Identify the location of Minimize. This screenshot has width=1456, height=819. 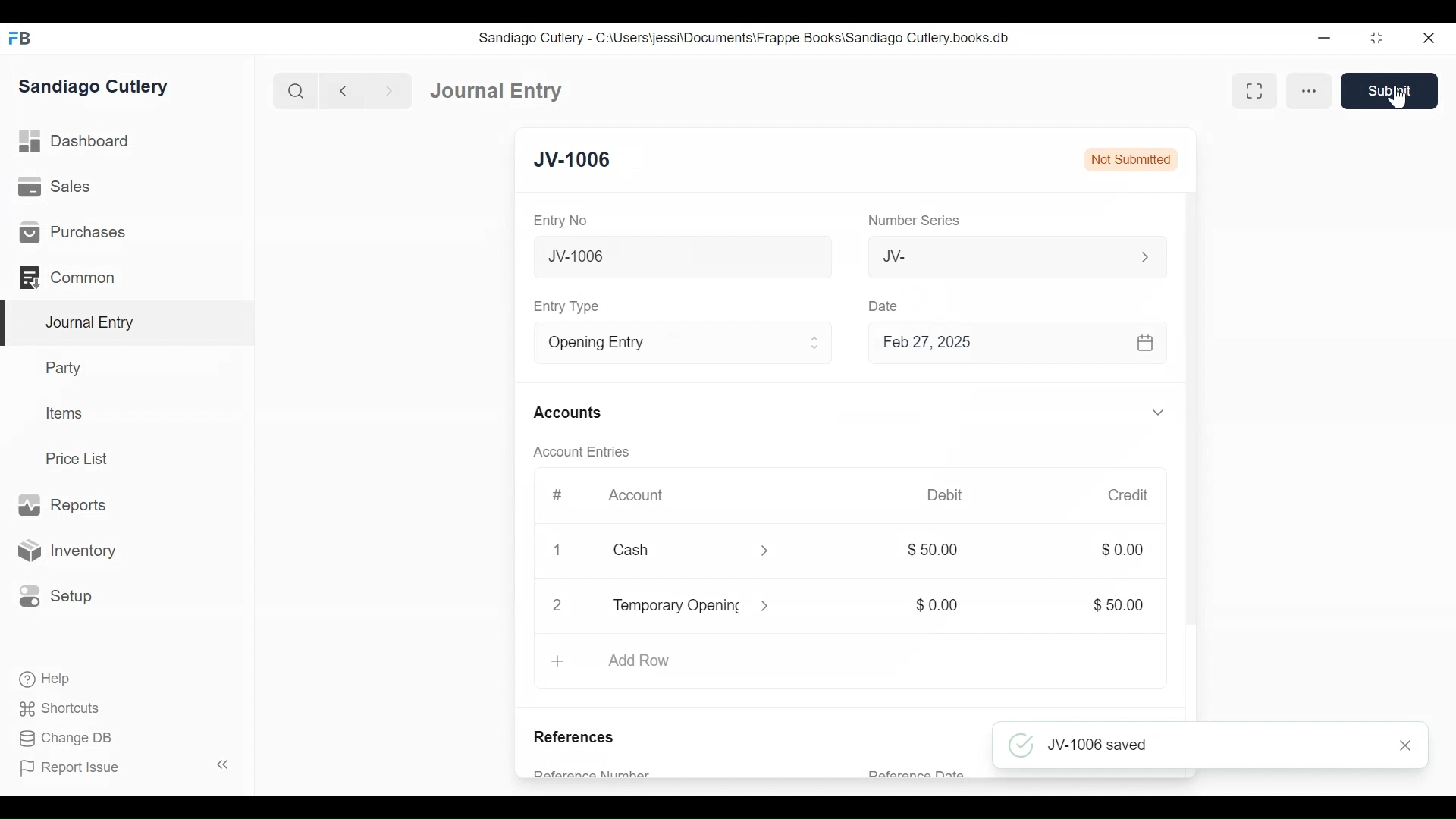
(1326, 37).